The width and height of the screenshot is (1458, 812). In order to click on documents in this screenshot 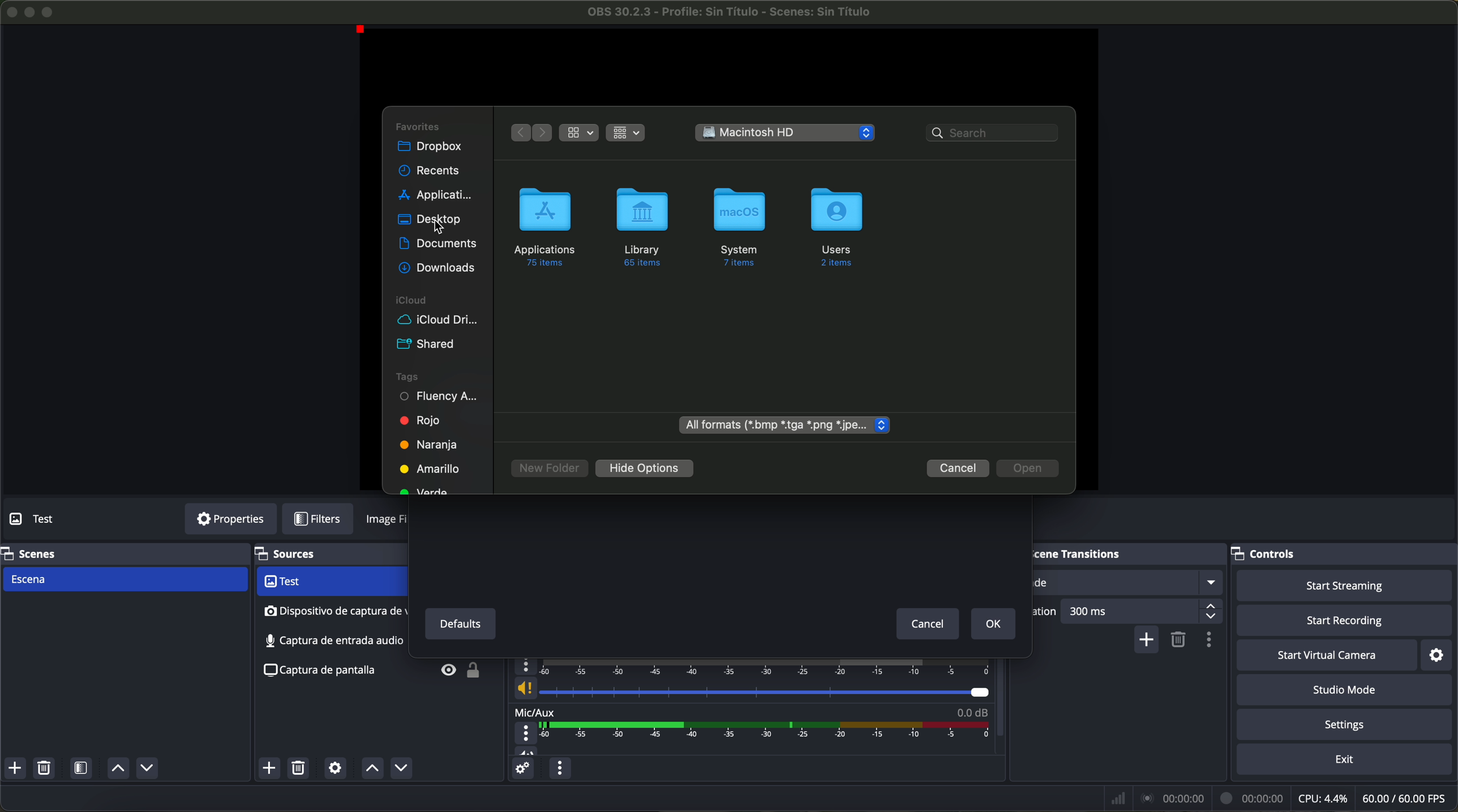, I will do `click(439, 244)`.